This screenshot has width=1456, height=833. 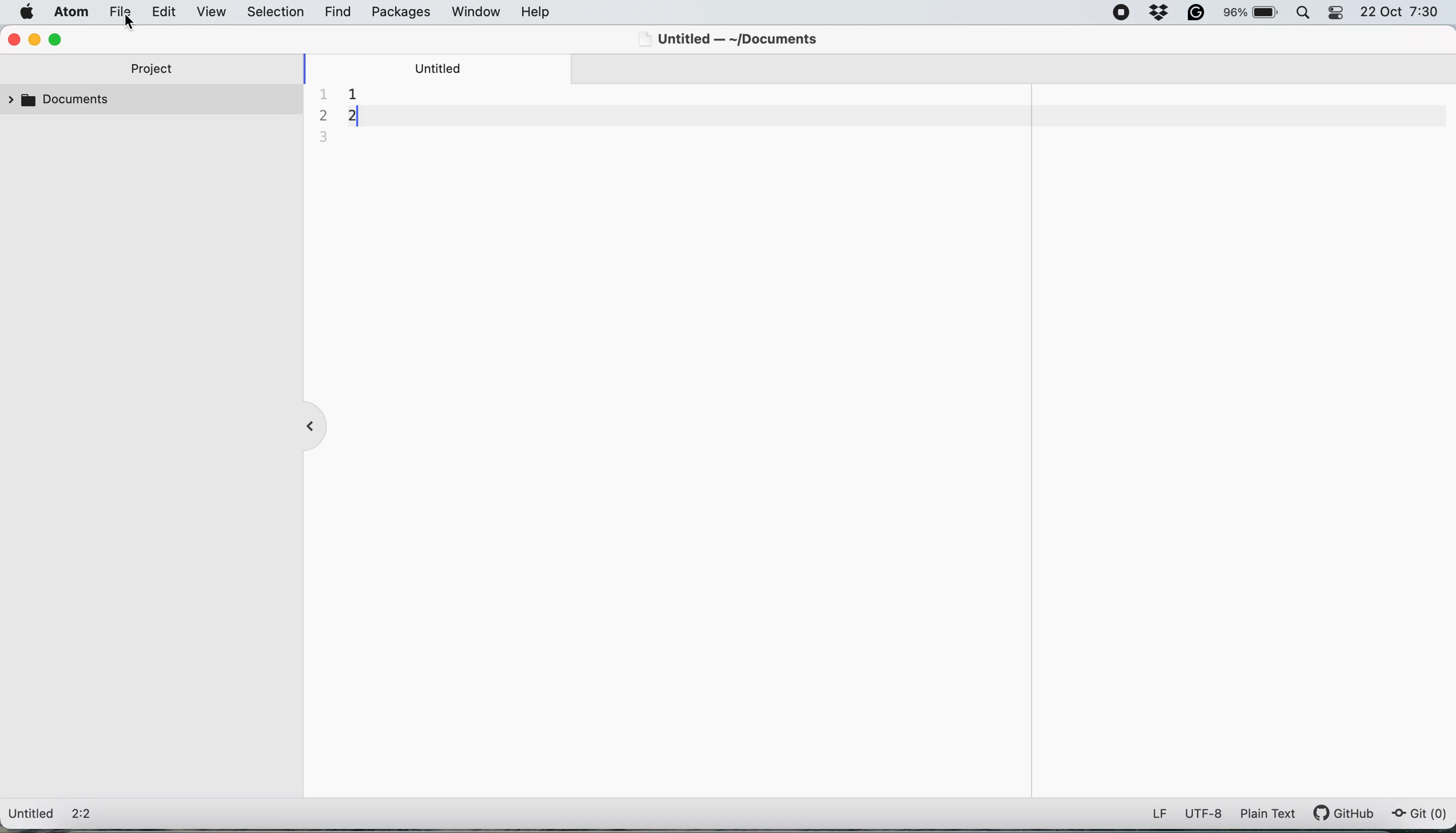 What do you see at coordinates (214, 11) in the screenshot?
I see `view` at bounding box center [214, 11].